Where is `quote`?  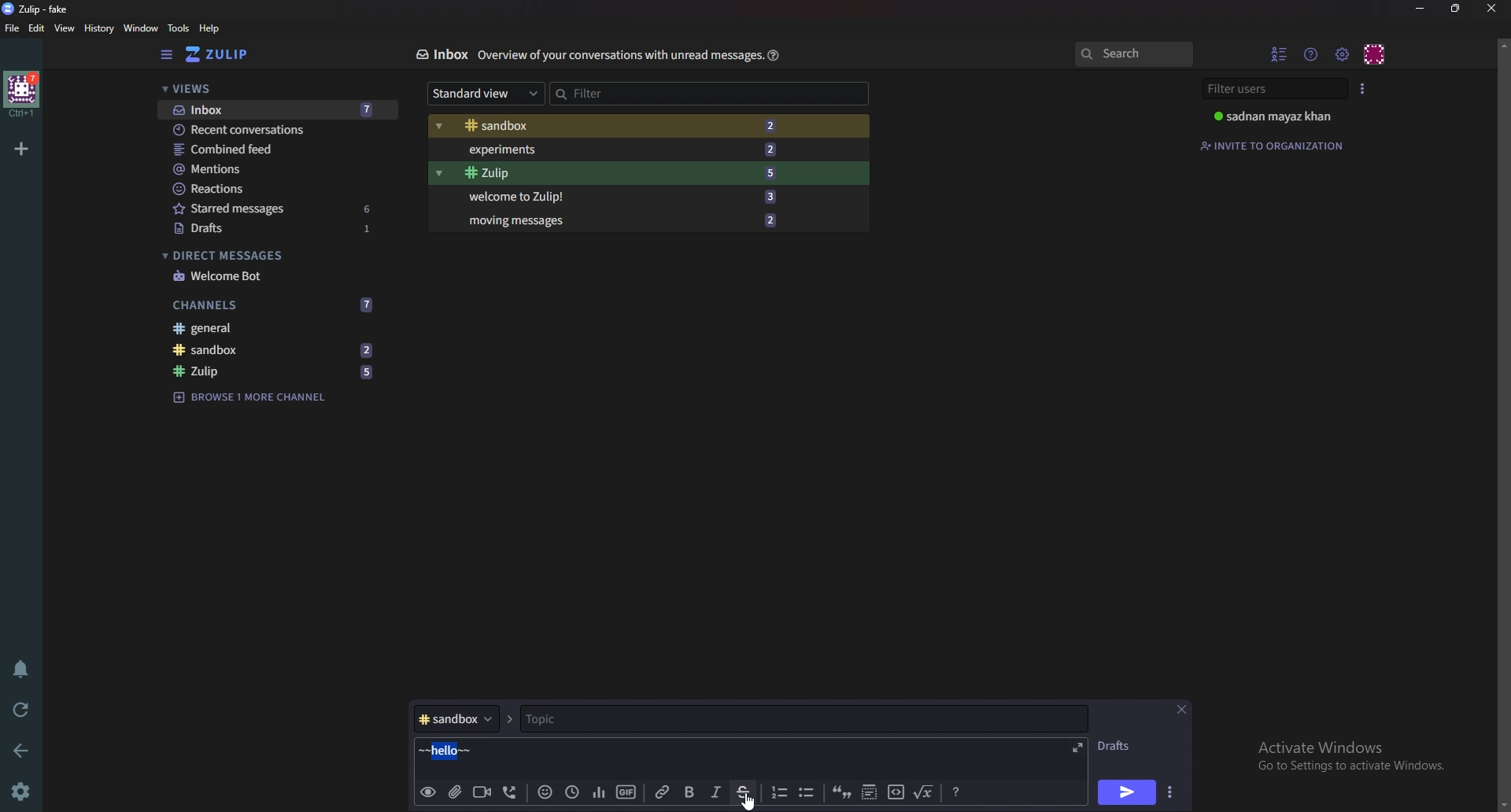
quote is located at coordinates (841, 793).